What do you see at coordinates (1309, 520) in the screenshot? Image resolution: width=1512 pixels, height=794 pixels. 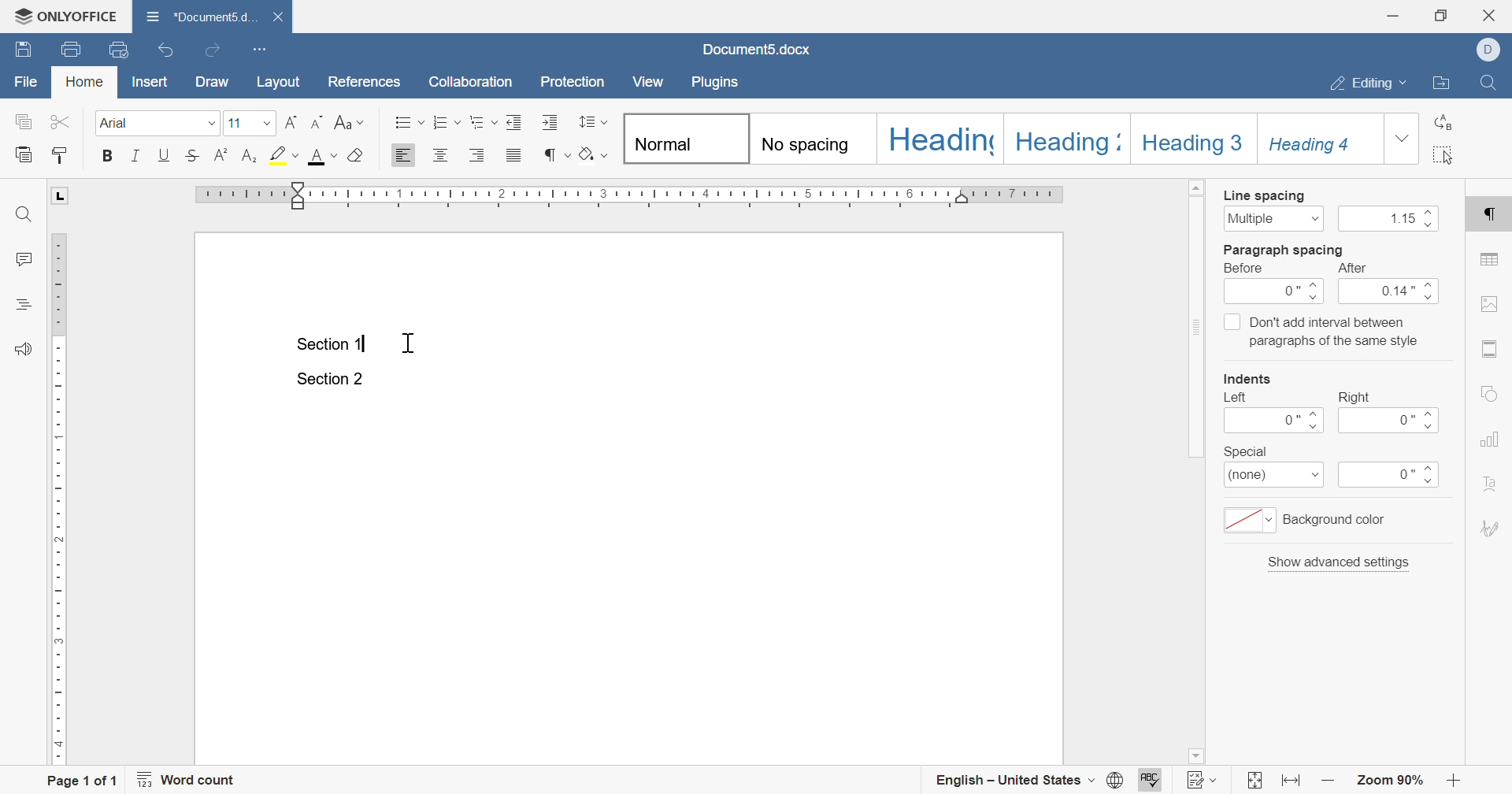 I see `background color` at bounding box center [1309, 520].